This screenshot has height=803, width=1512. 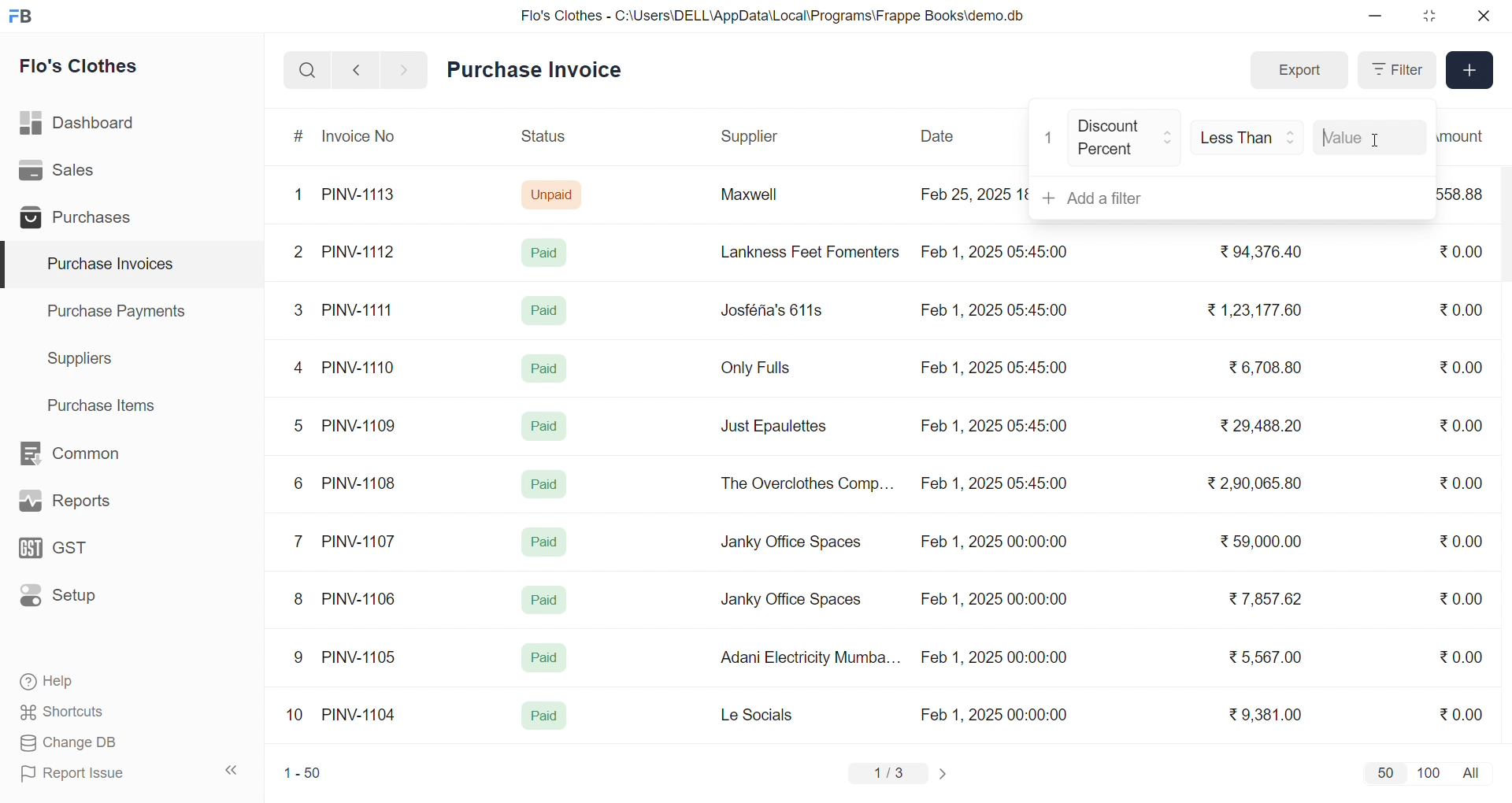 What do you see at coordinates (805, 483) in the screenshot?
I see `The Overclothes Comp...` at bounding box center [805, 483].